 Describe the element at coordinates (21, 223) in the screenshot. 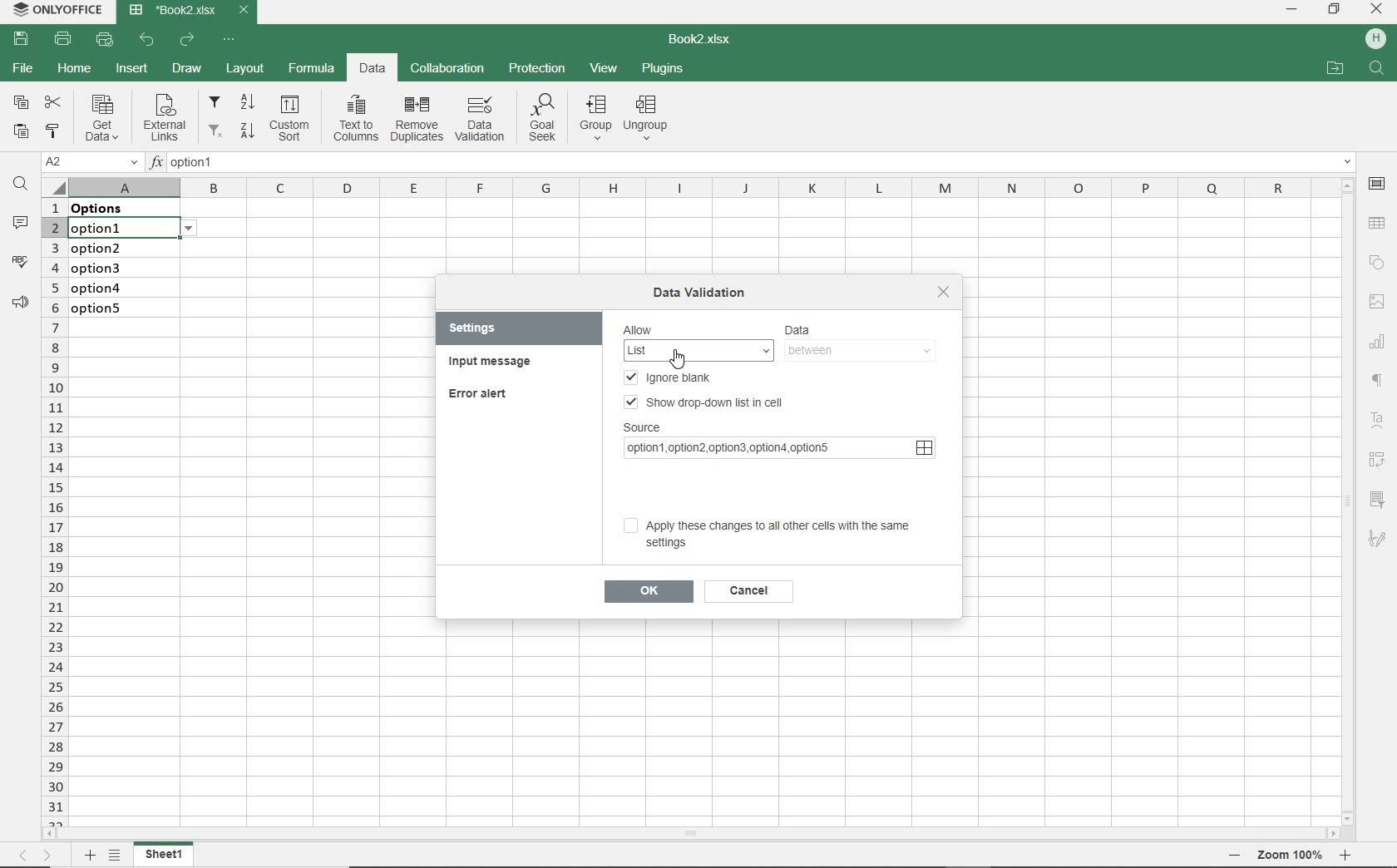

I see `COMMENTS` at that location.